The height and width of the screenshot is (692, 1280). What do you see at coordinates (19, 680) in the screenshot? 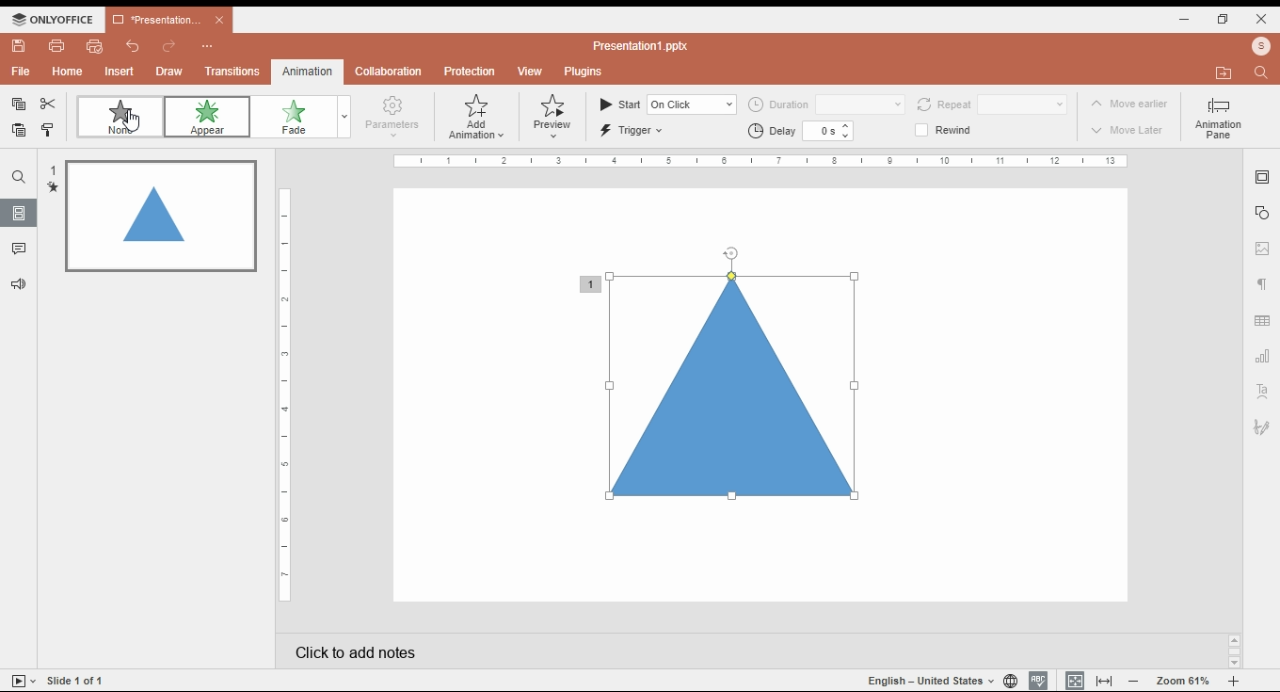
I see `start slide show` at bounding box center [19, 680].